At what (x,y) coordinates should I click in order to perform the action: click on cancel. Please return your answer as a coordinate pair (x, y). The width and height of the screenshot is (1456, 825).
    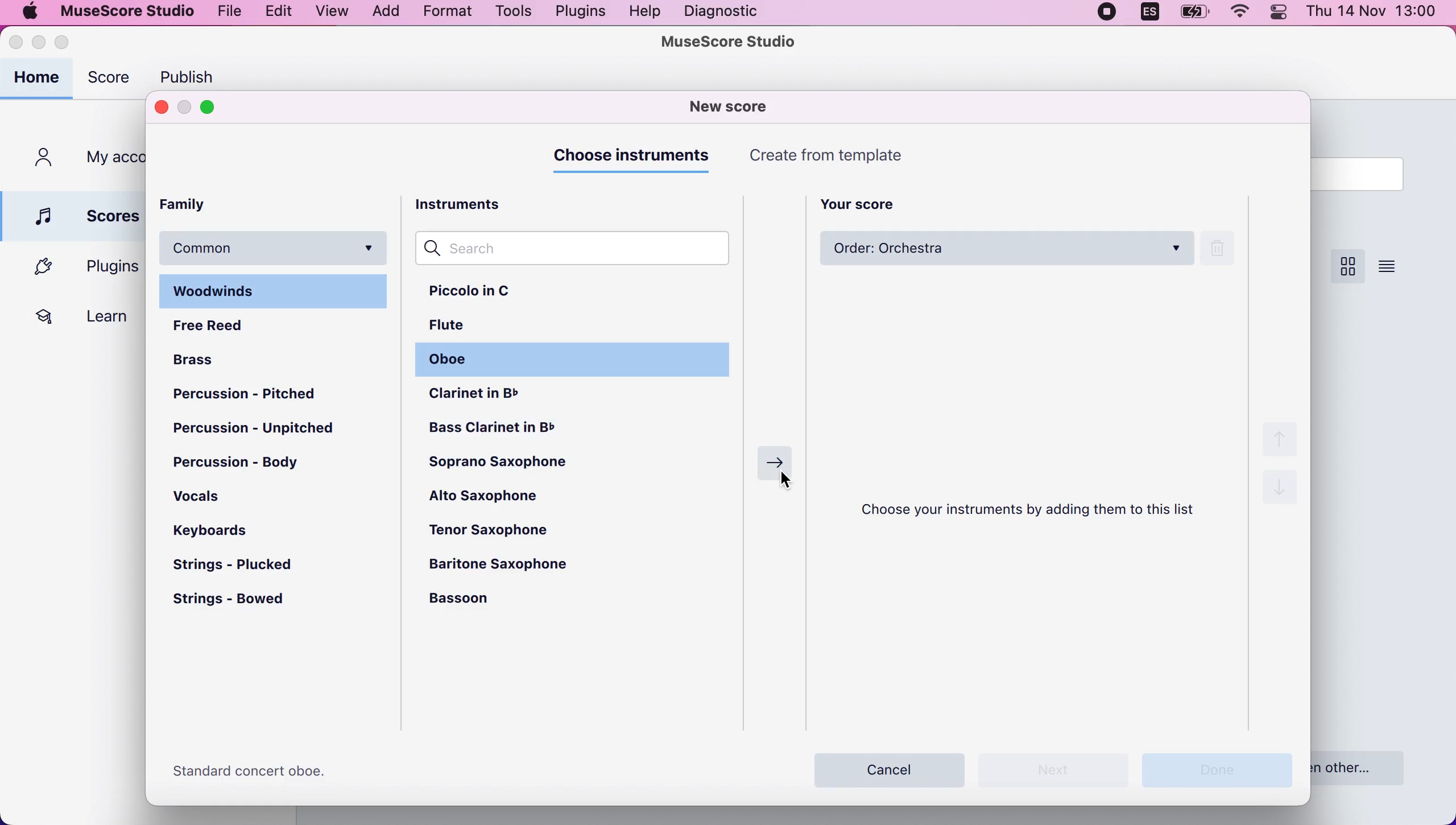
    Looking at the image, I should click on (891, 767).